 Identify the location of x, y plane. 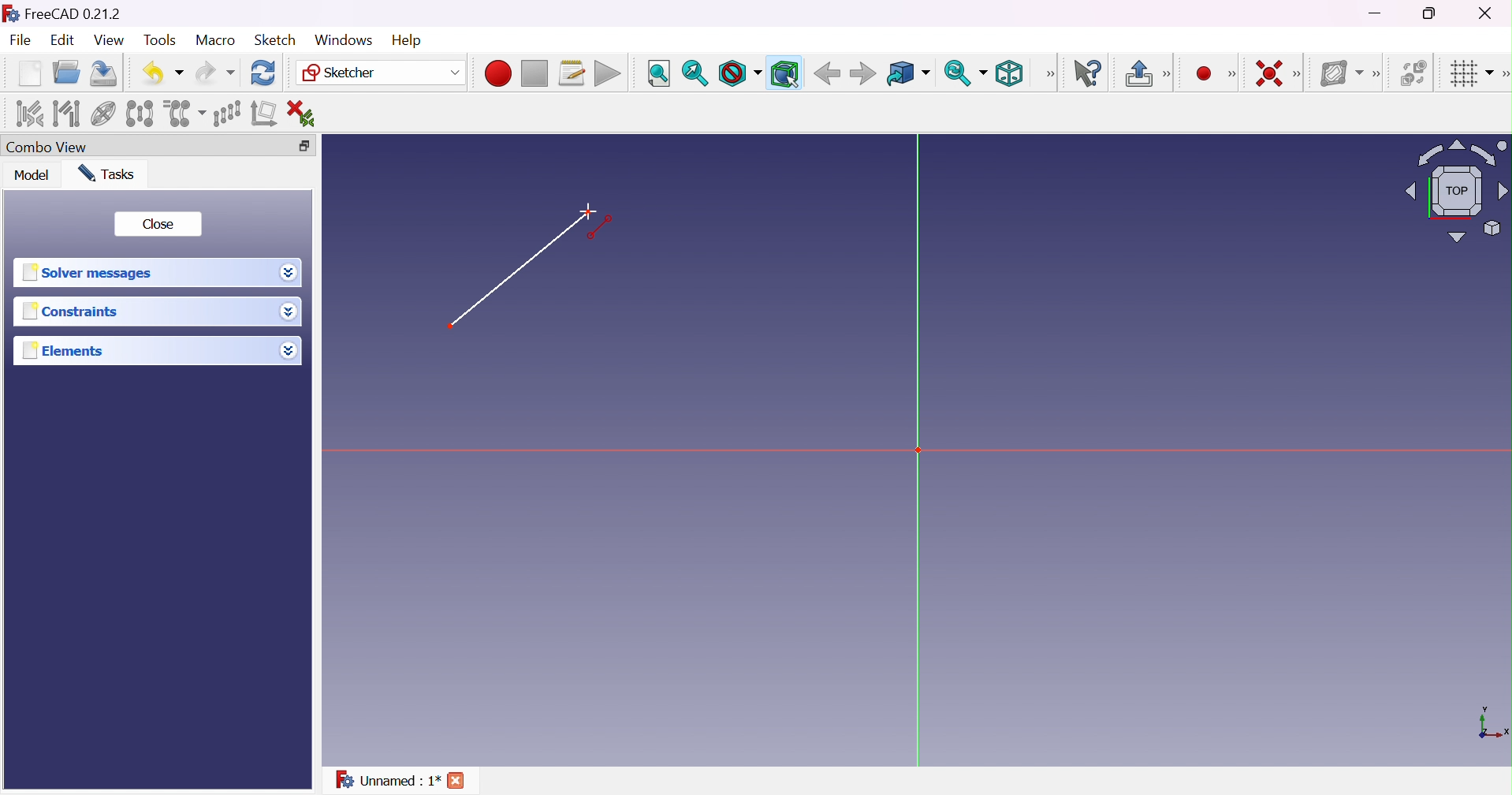
(1493, 724).